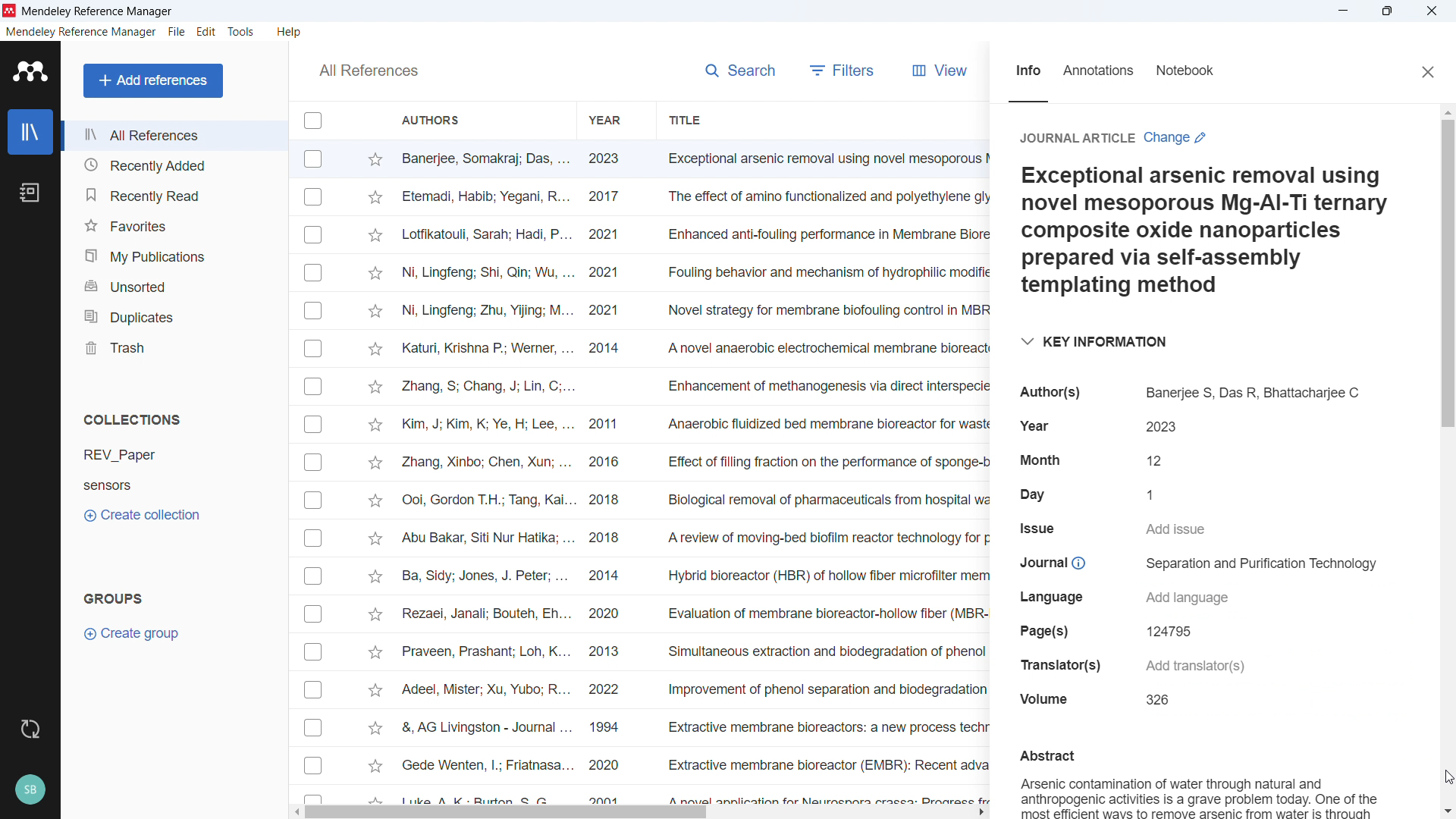 The image size is (1456, 819). Describe the element at coordinates (1025, 74) in the screenshot. I see `info` at that location.